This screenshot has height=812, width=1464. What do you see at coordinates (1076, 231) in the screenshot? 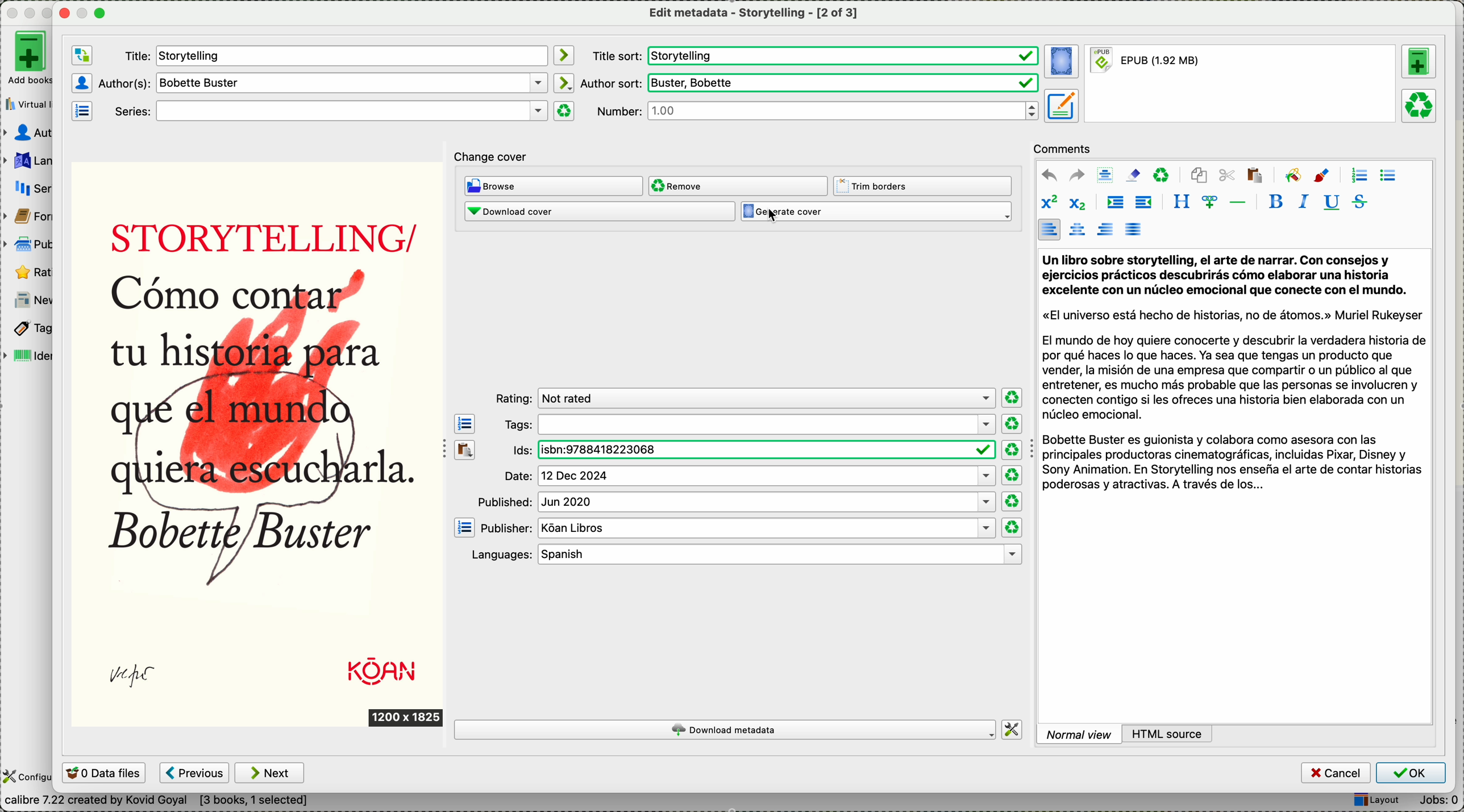
I see `align center` at bounding box center [1076, 231].